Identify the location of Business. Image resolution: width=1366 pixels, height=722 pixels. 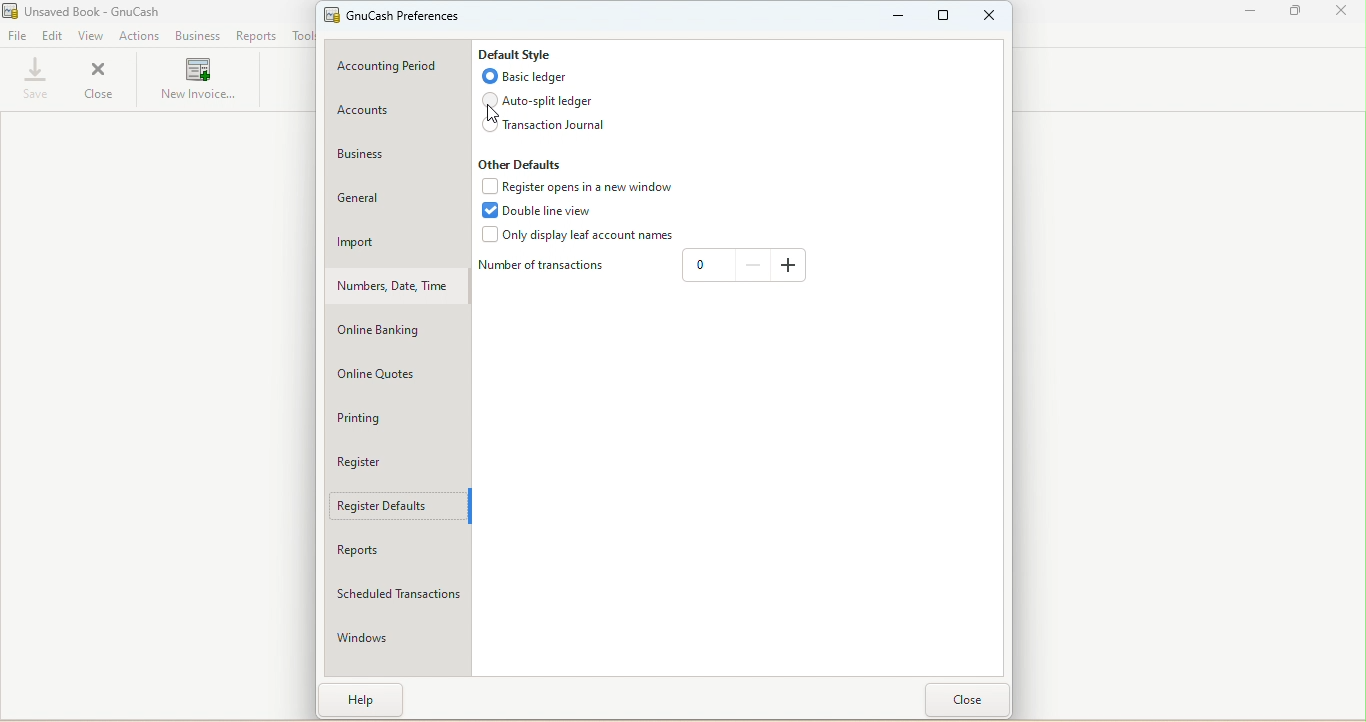
(397, 154).